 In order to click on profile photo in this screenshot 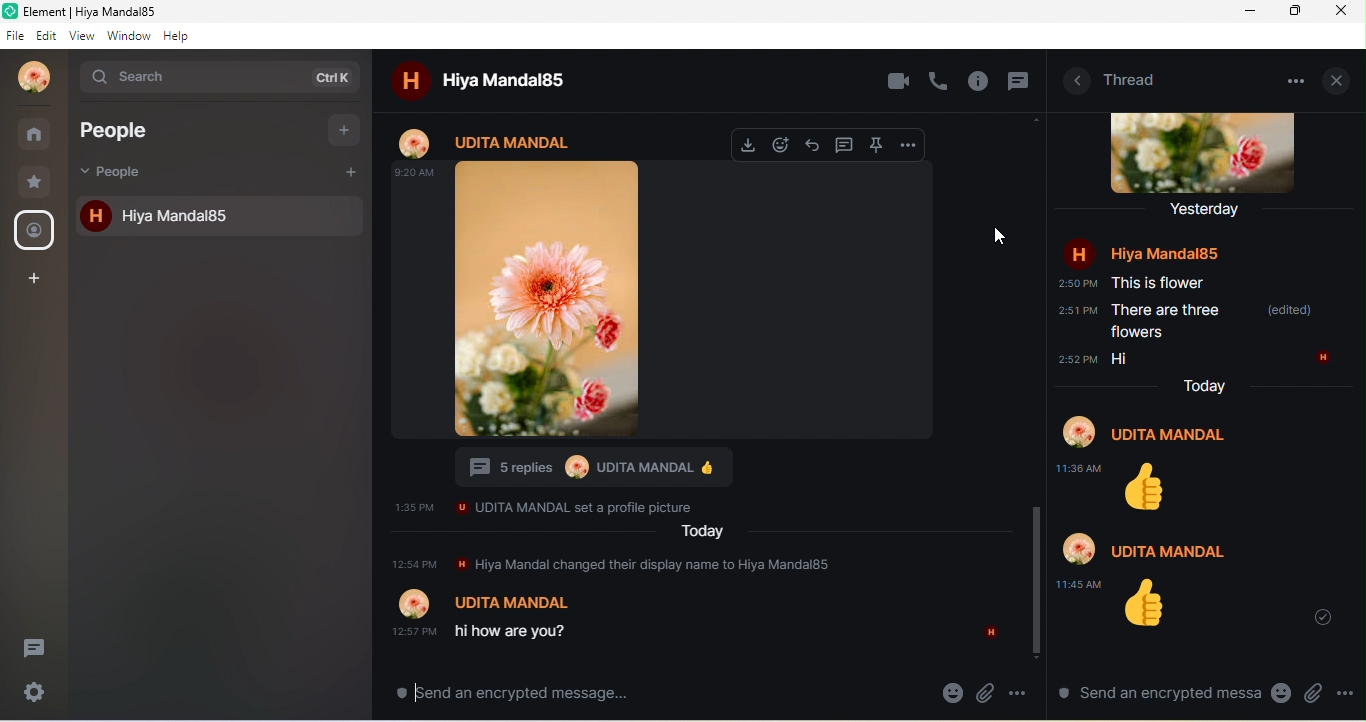, I will do `click(550, 300)`.